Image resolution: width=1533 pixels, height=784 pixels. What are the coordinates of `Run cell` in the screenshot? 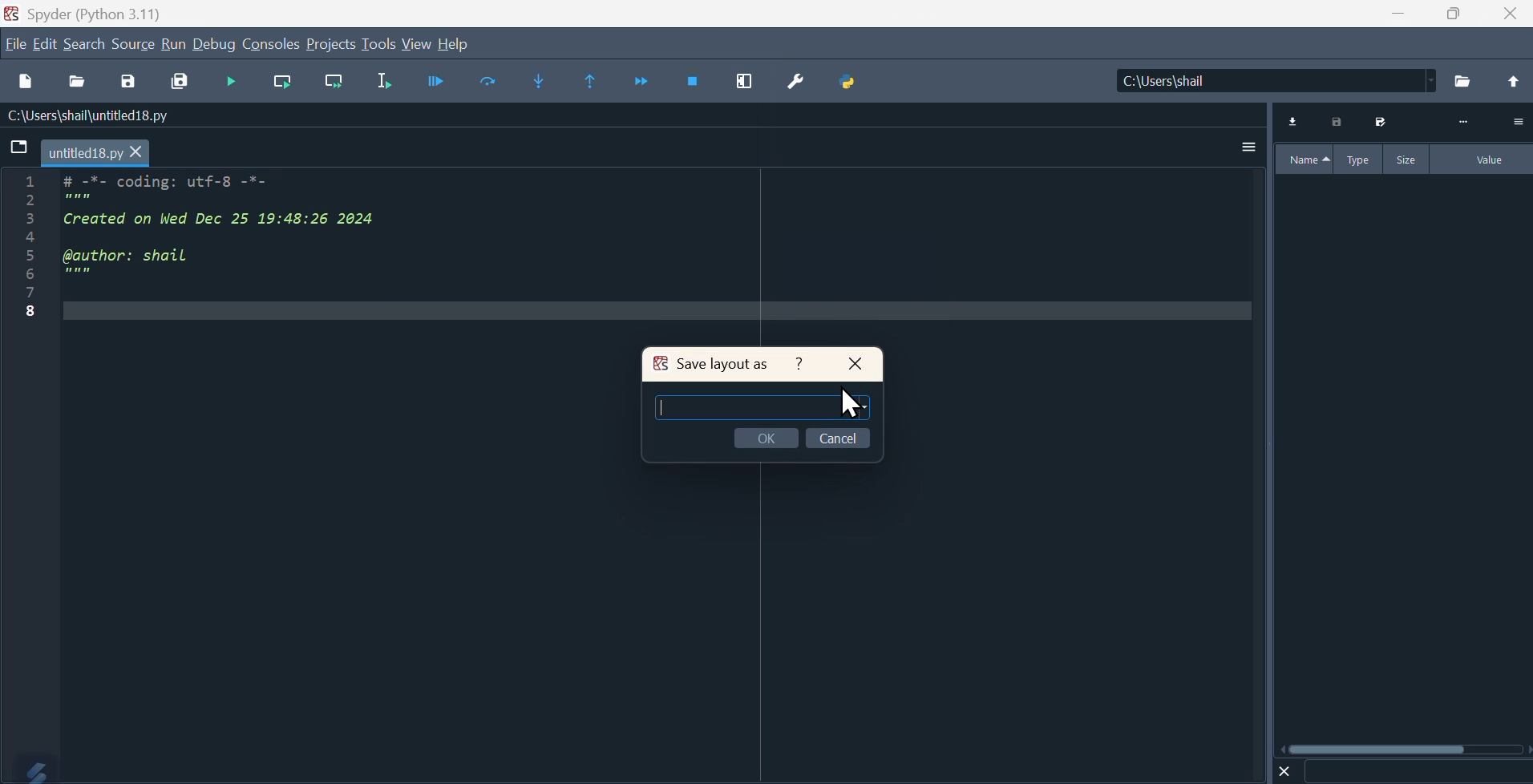 It's located at (229, 83).